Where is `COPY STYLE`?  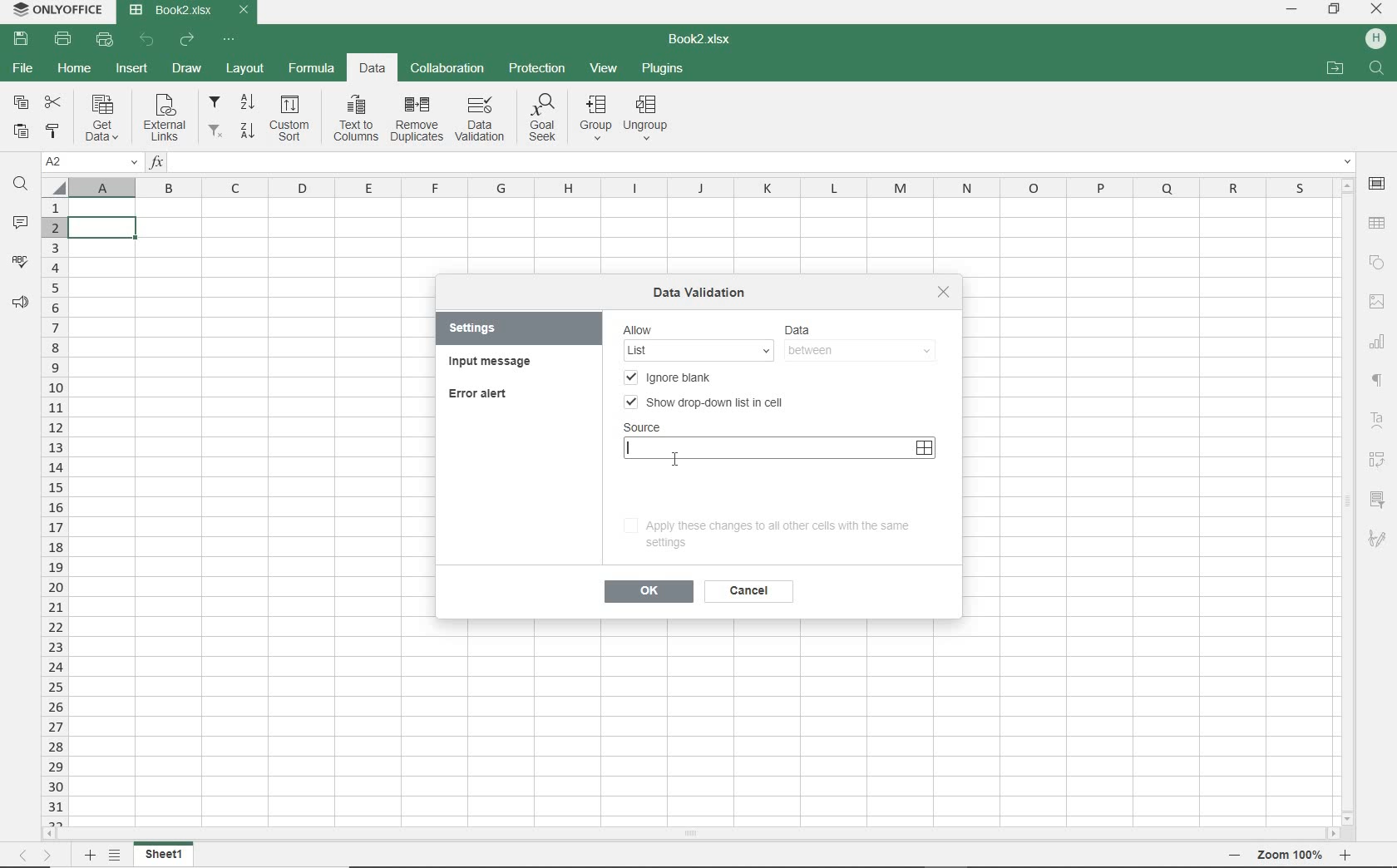
COPY STYLE is located at coordinates (54, 132).